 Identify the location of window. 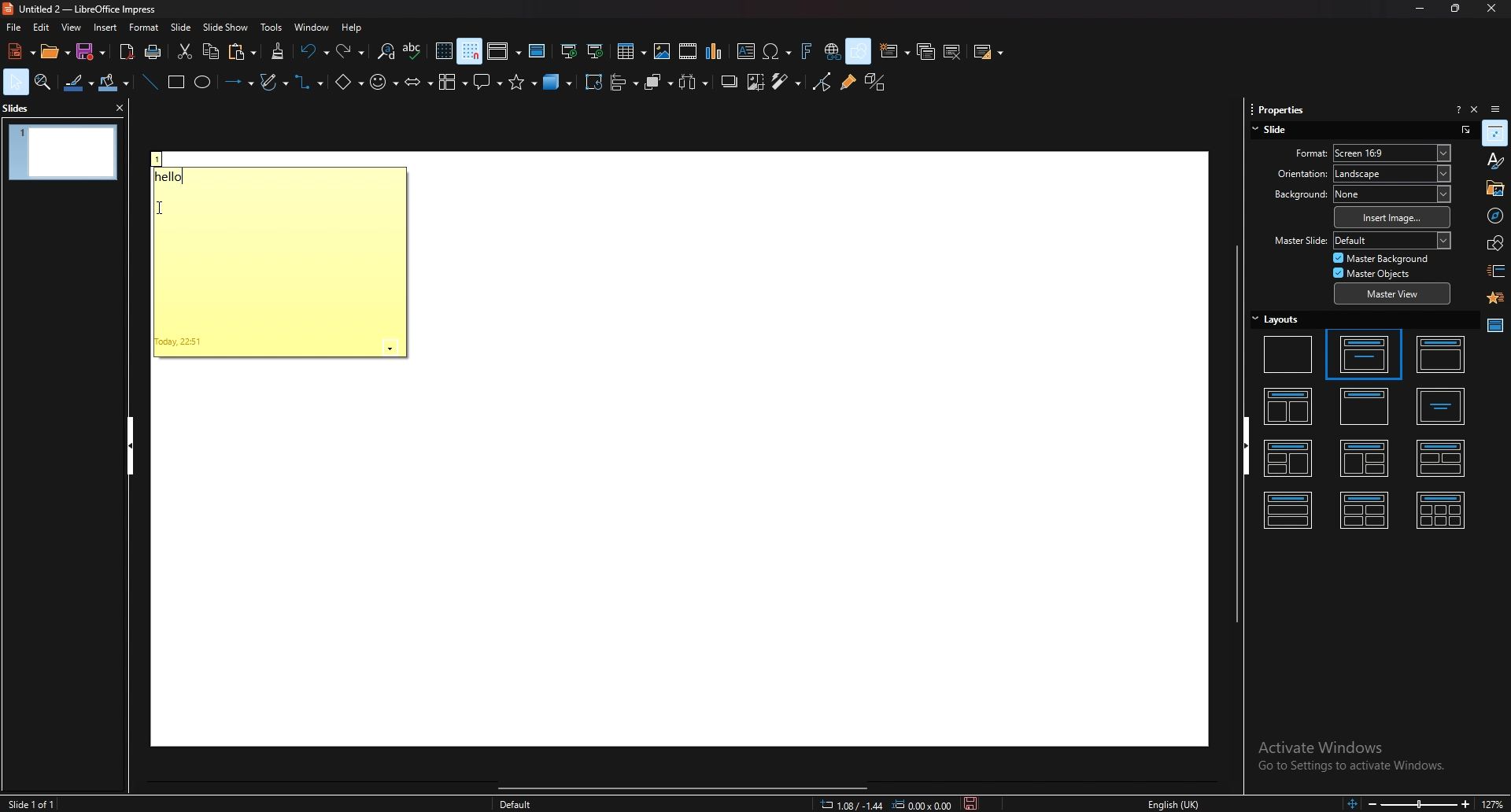
(312, 27).